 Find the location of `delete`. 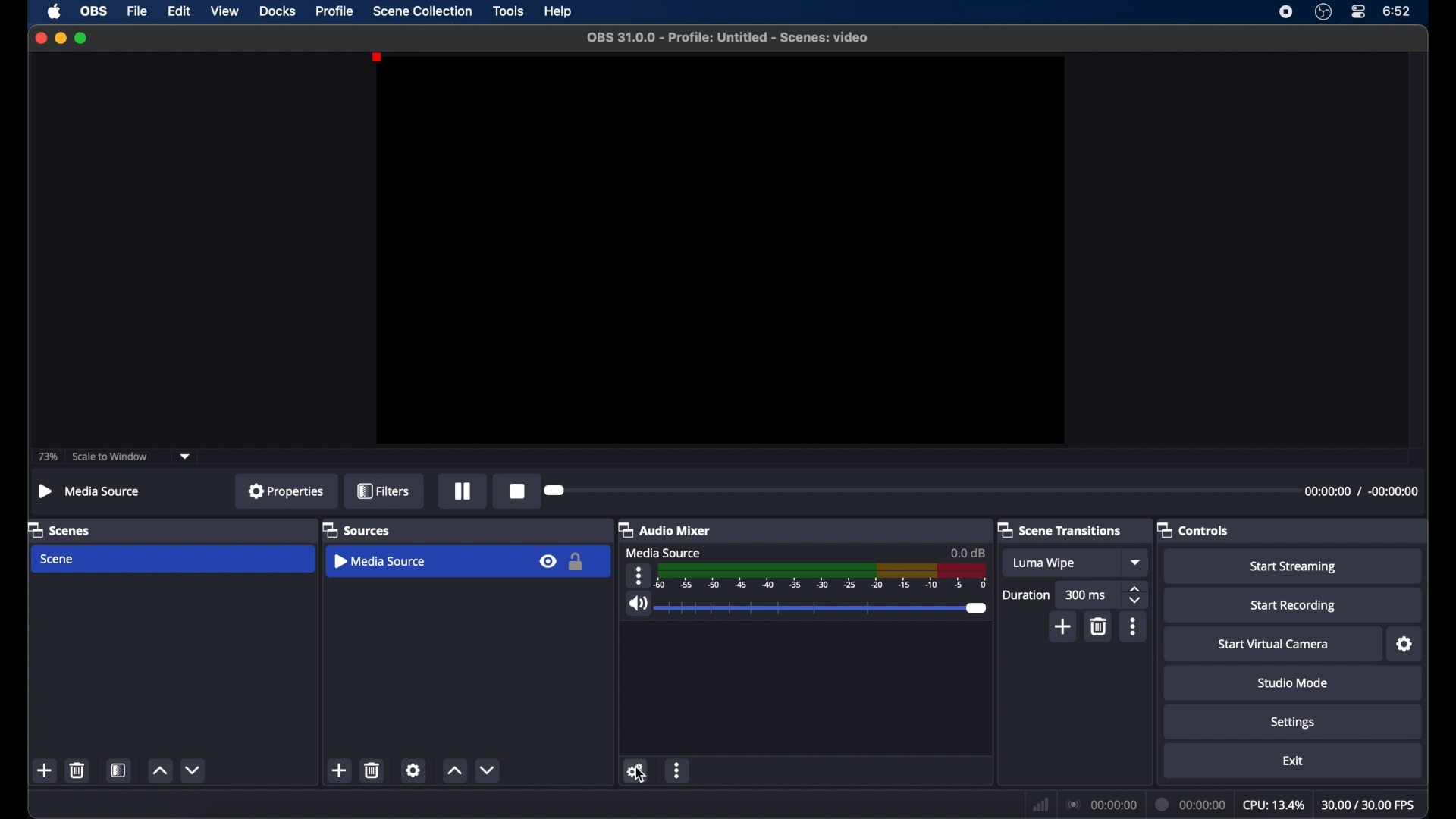

delete is located at coordinates (373, 770).